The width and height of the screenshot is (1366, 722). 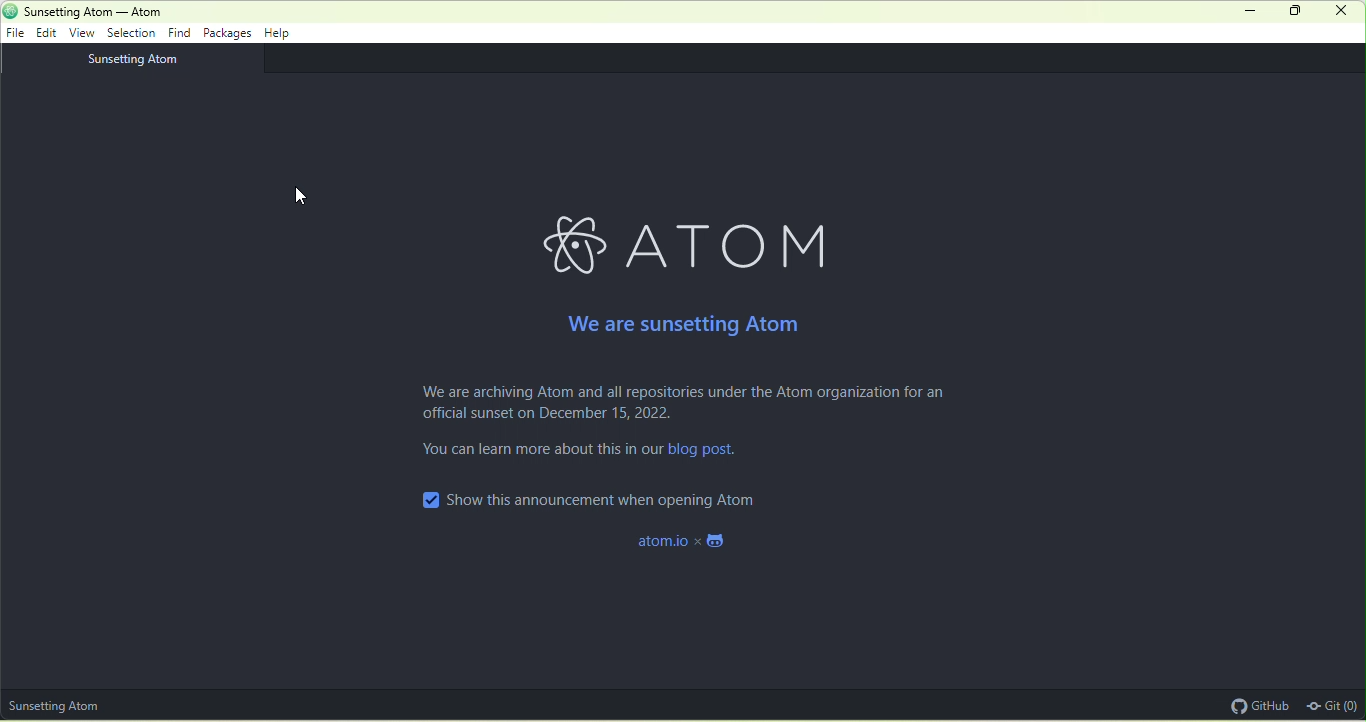 I want to click on maximize, so click(x=1301, y=13).